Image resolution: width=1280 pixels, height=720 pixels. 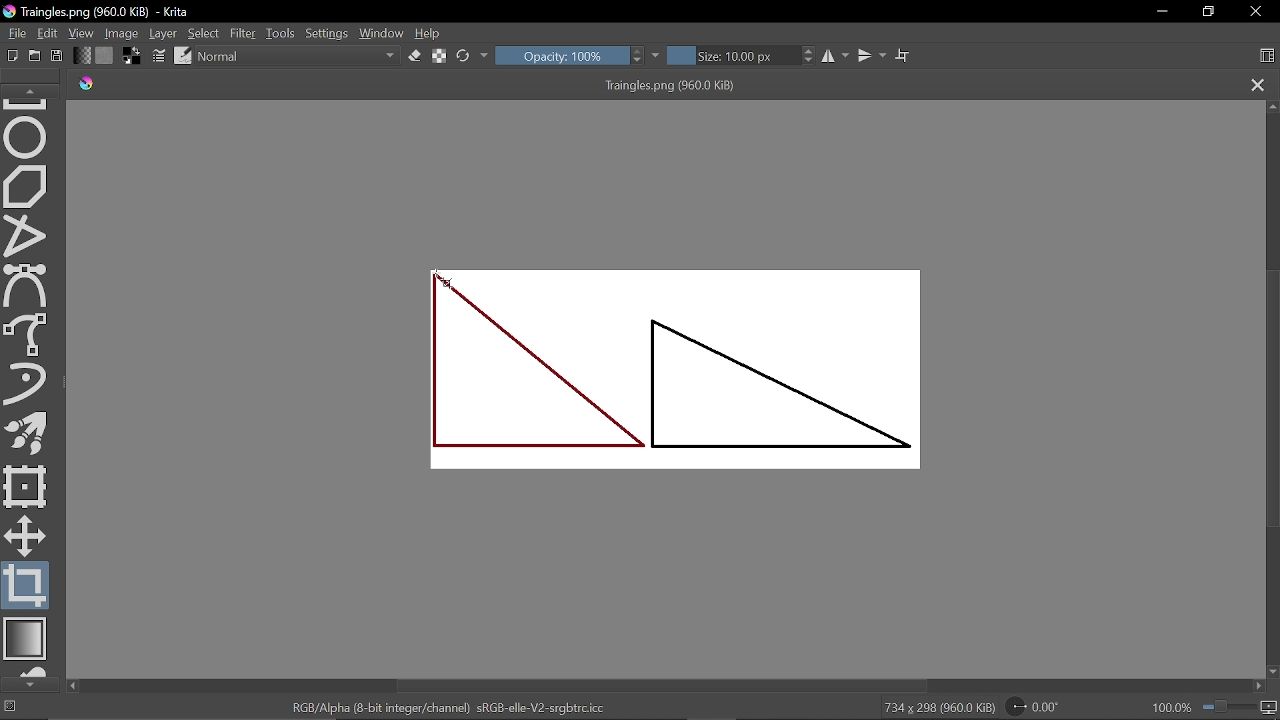 What do you see at coordinates (1262, 688) in the screenshot?
I see `Move right` at bounding box center [1262, 688].